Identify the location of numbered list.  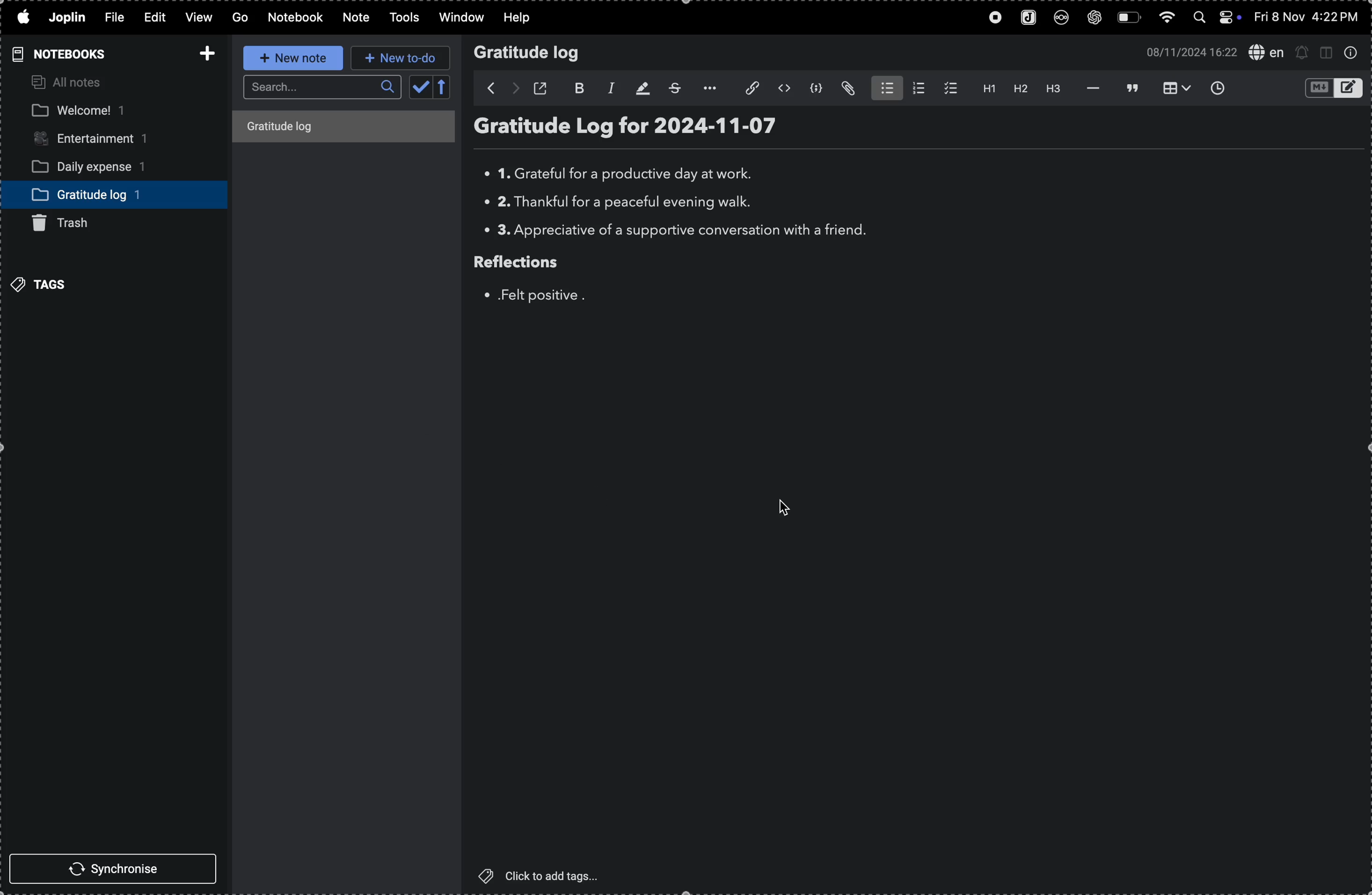
(917, 89).